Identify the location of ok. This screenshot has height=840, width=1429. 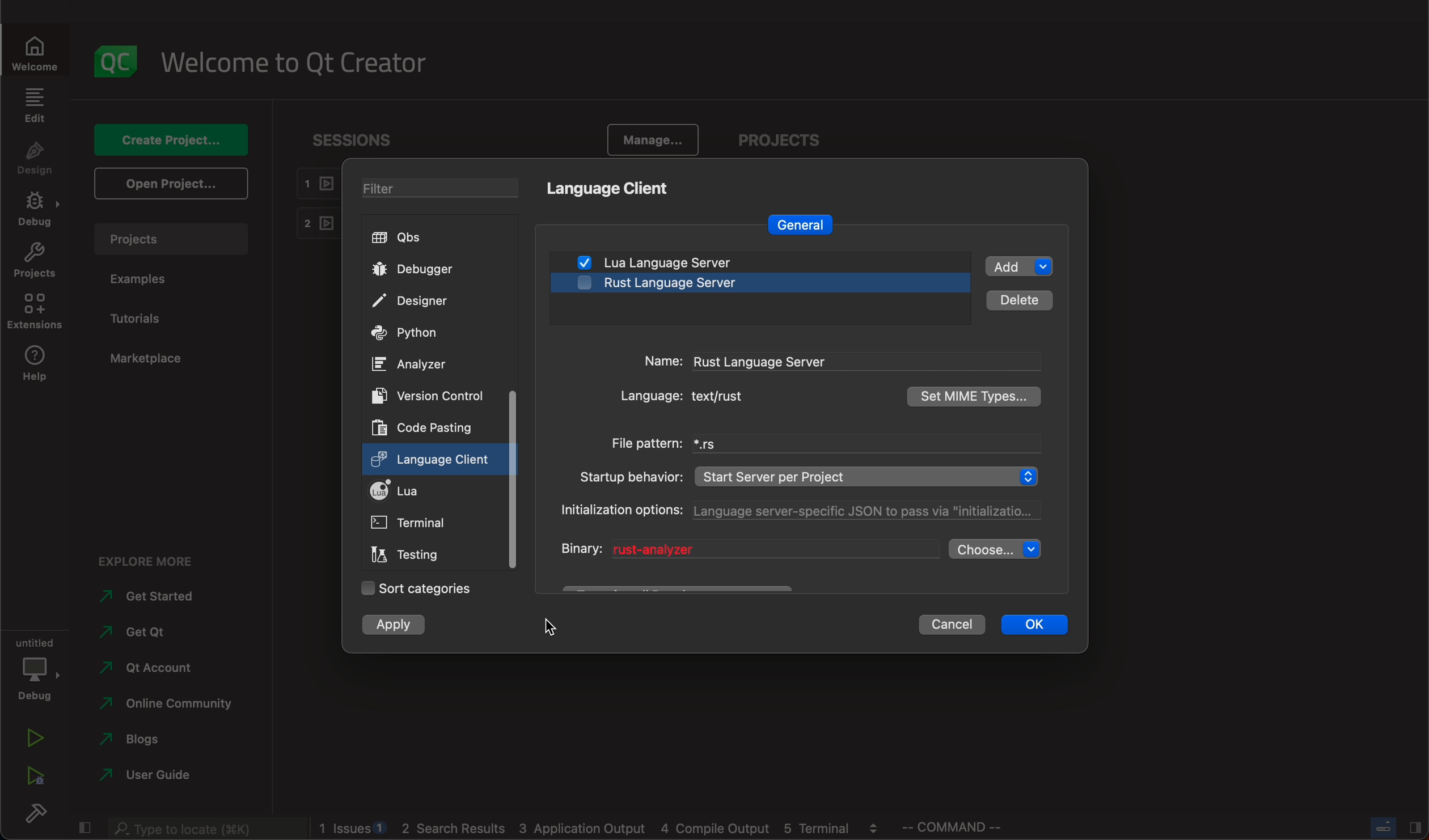
(1043, 625).